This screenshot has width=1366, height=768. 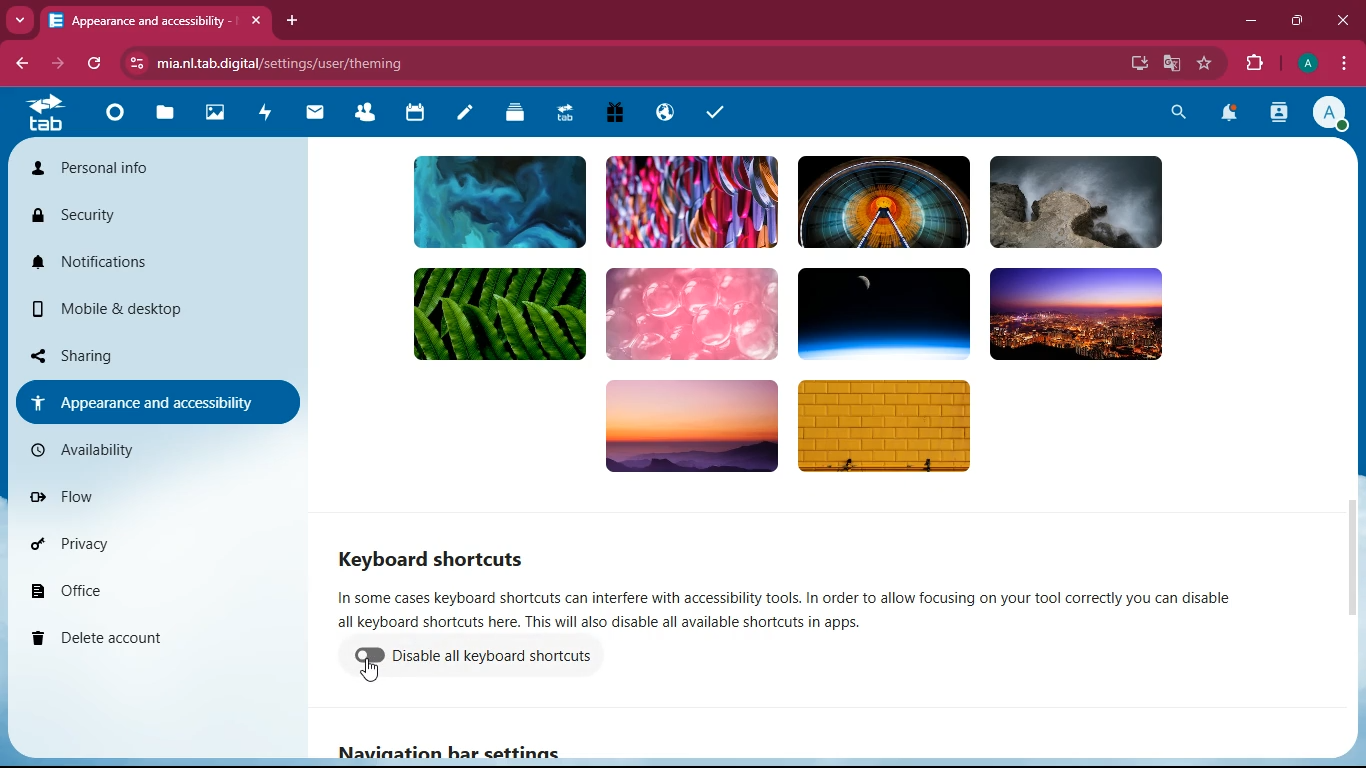 What do you see at coordinates (1344, 21) in the screenshot?
I see `close` at bounding box center [1344, 21].